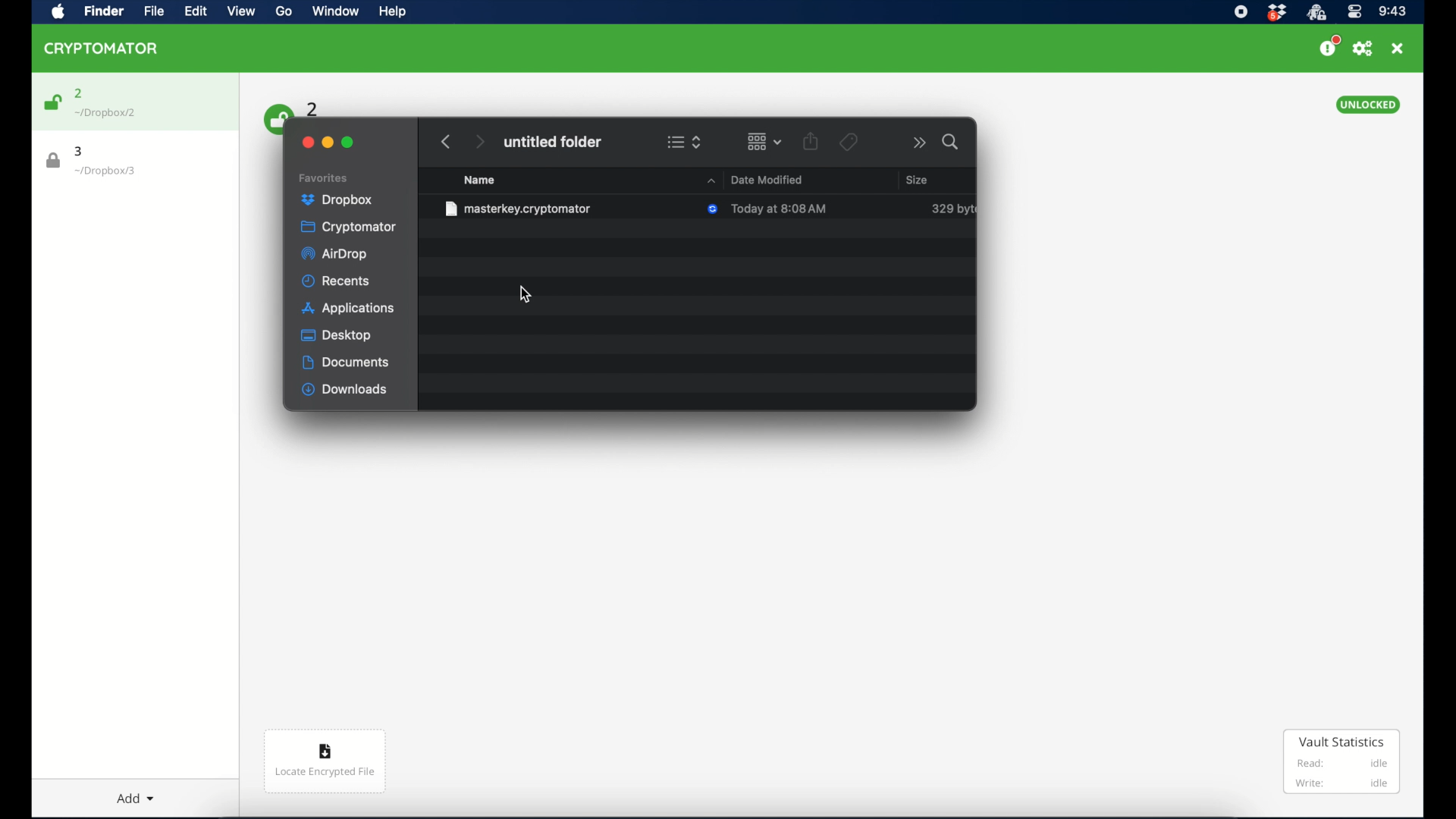 This screenshot has width=1456, height=819. What do you see at coordinates (275, 118) in the screenshot?
I see `unlock icon` at bounding box center [275, 118].